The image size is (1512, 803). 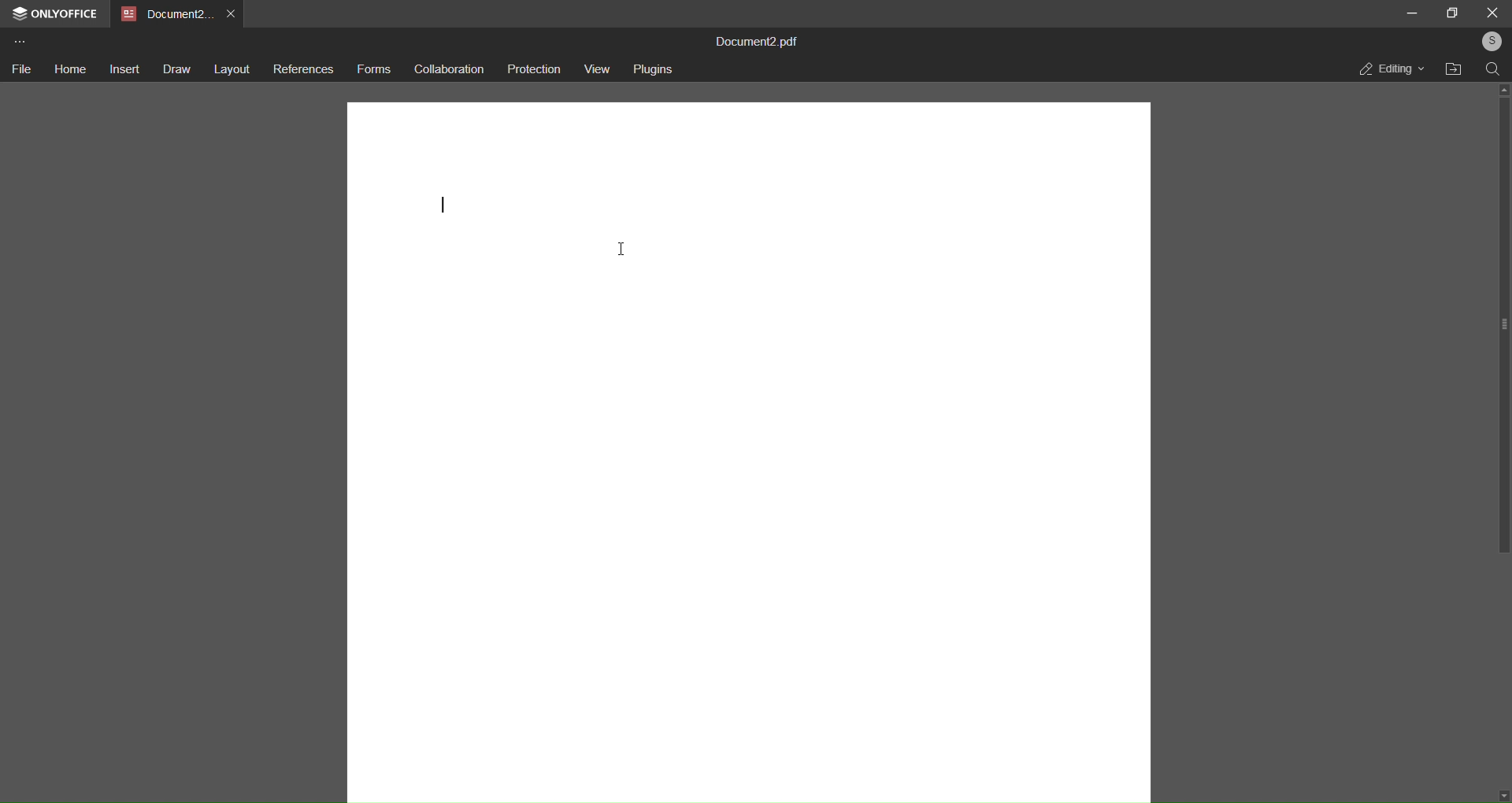 What do you see at coordinates (54, 13) in the screenshot?
I see `onlyoffice` at bounding box center [54, 13].